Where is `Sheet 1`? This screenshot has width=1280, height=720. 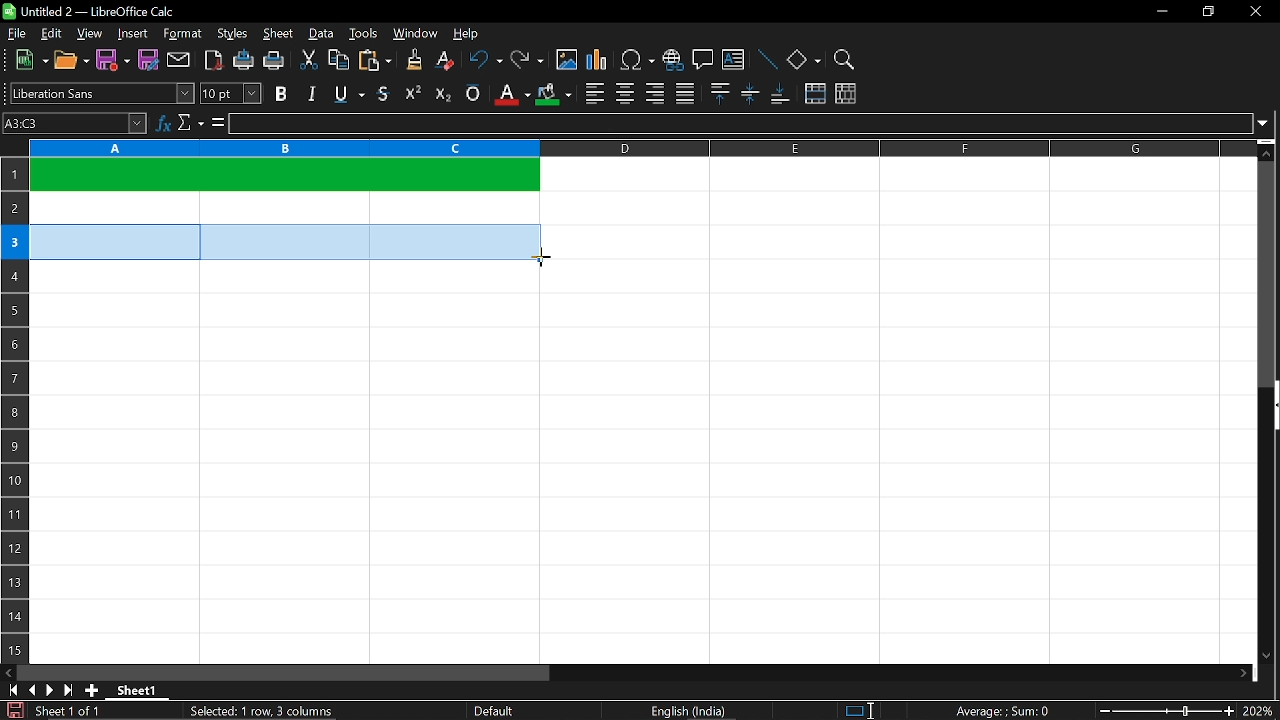 Sheet 1 is located at coordinates (137, 690).